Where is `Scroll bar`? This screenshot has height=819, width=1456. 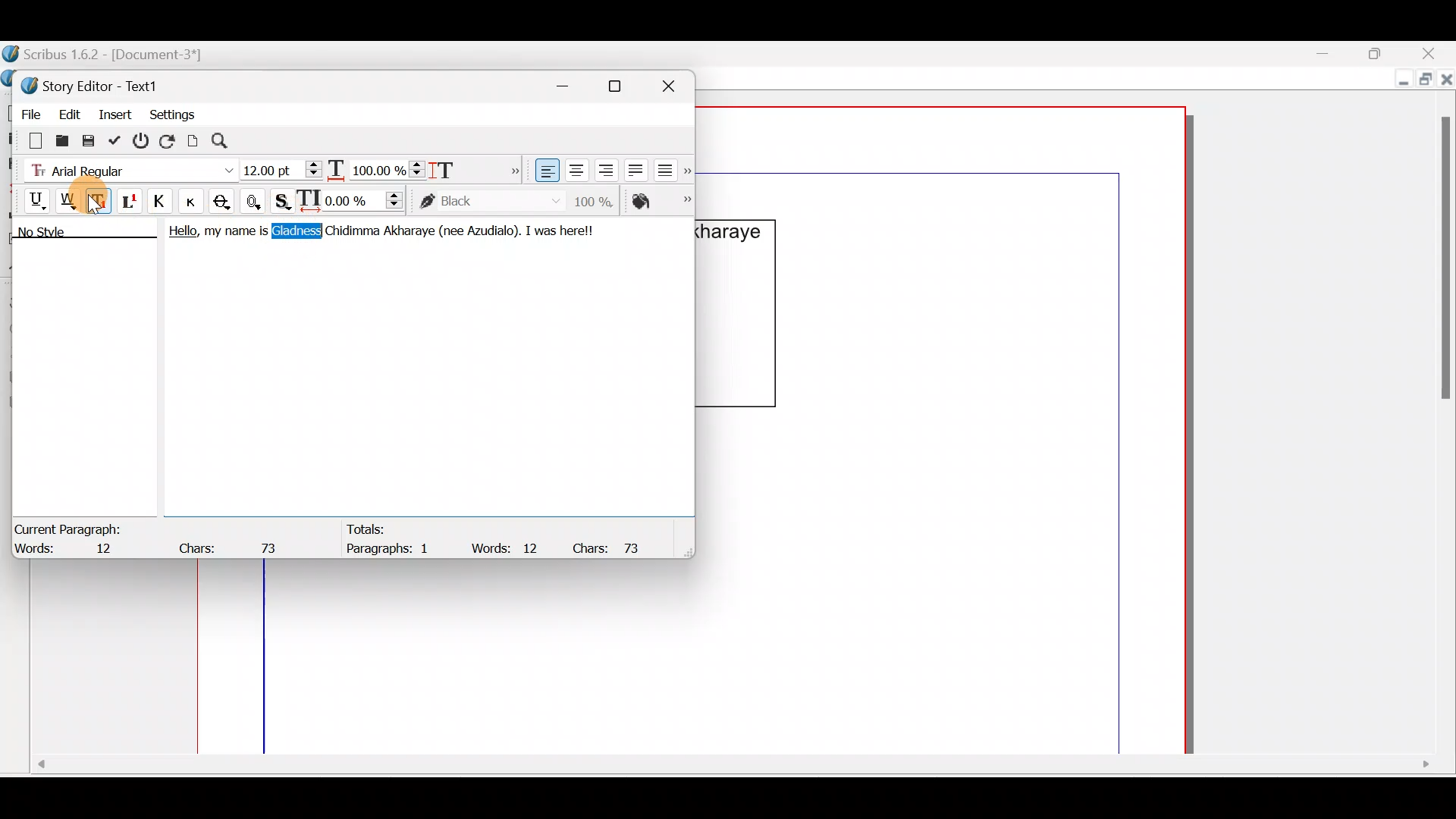 Scroll bar is located at coordinates (1440, 414).